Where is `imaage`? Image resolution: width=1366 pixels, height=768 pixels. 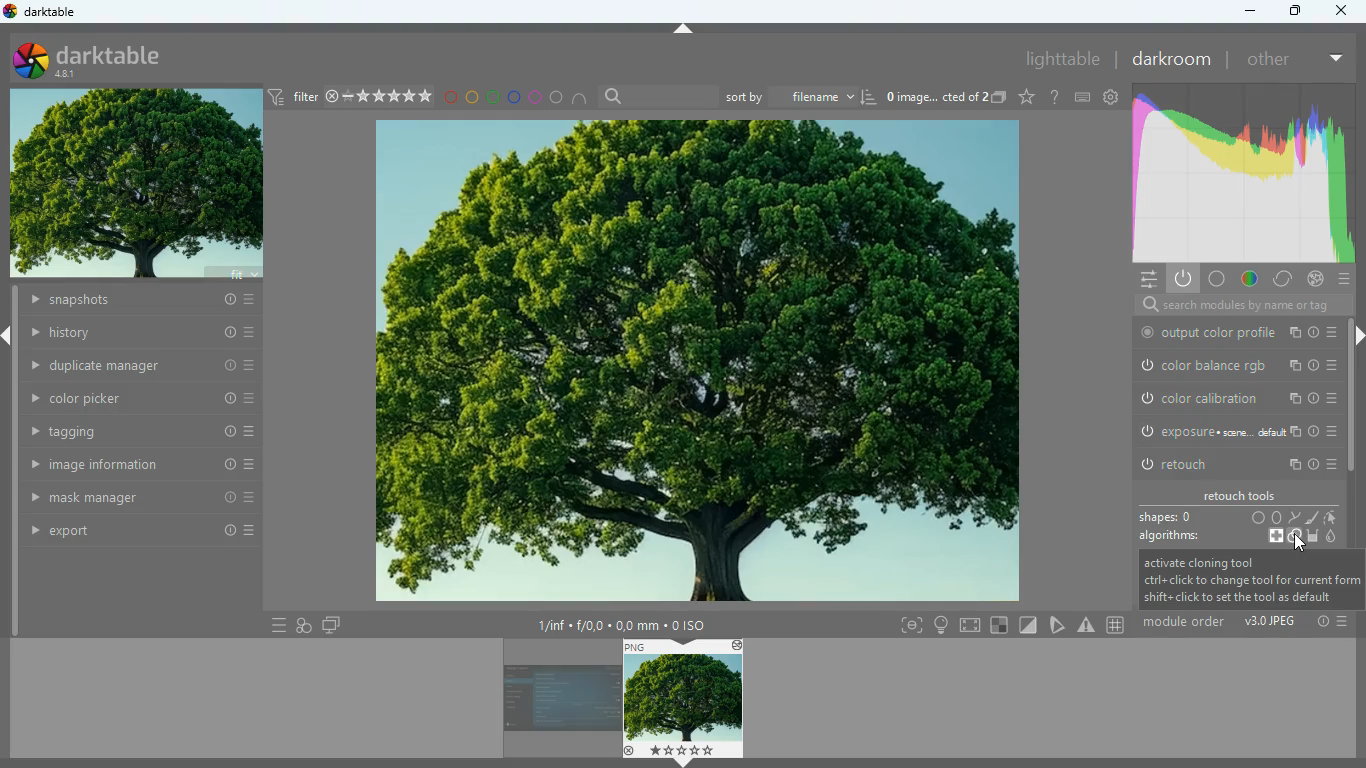 imaage is located at coordinates (135, 182).